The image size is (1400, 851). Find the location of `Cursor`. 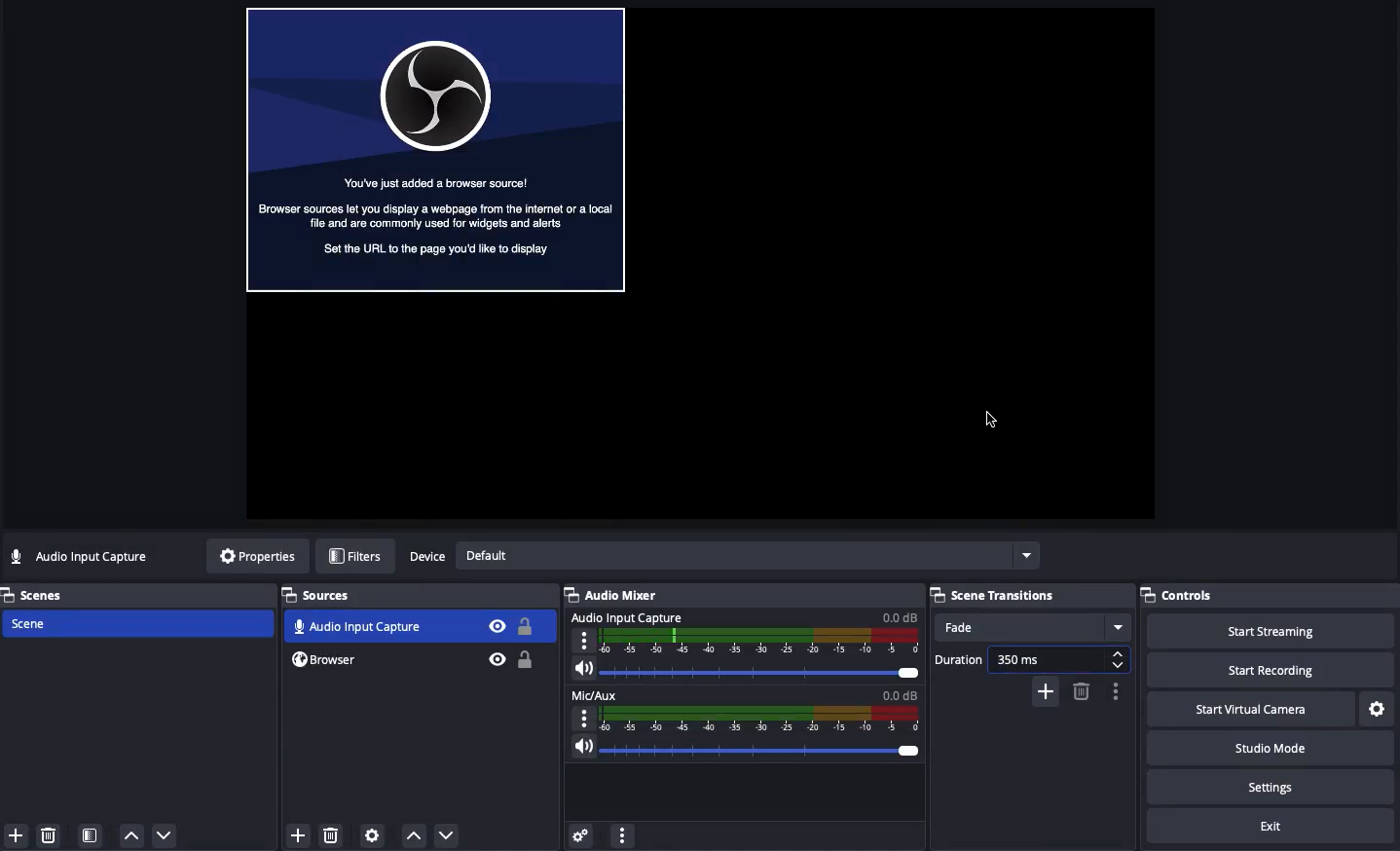

Cursor is located at coordinates (990, 420).